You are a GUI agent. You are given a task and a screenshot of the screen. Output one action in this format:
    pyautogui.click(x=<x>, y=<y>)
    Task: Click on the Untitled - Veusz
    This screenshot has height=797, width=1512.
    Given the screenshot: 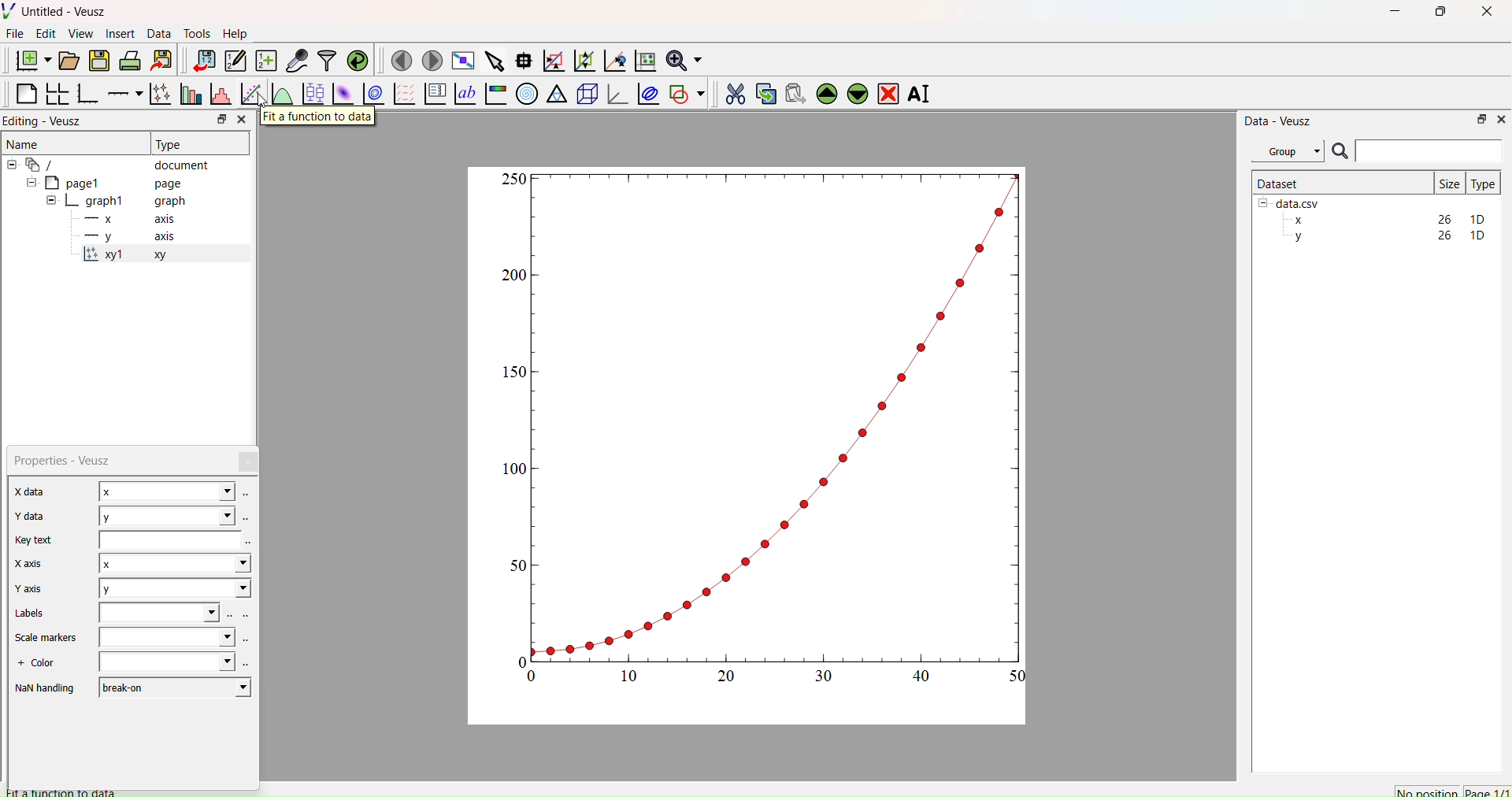 What is the action you would take?
    pyautogui.click(x=57, y=11)
    